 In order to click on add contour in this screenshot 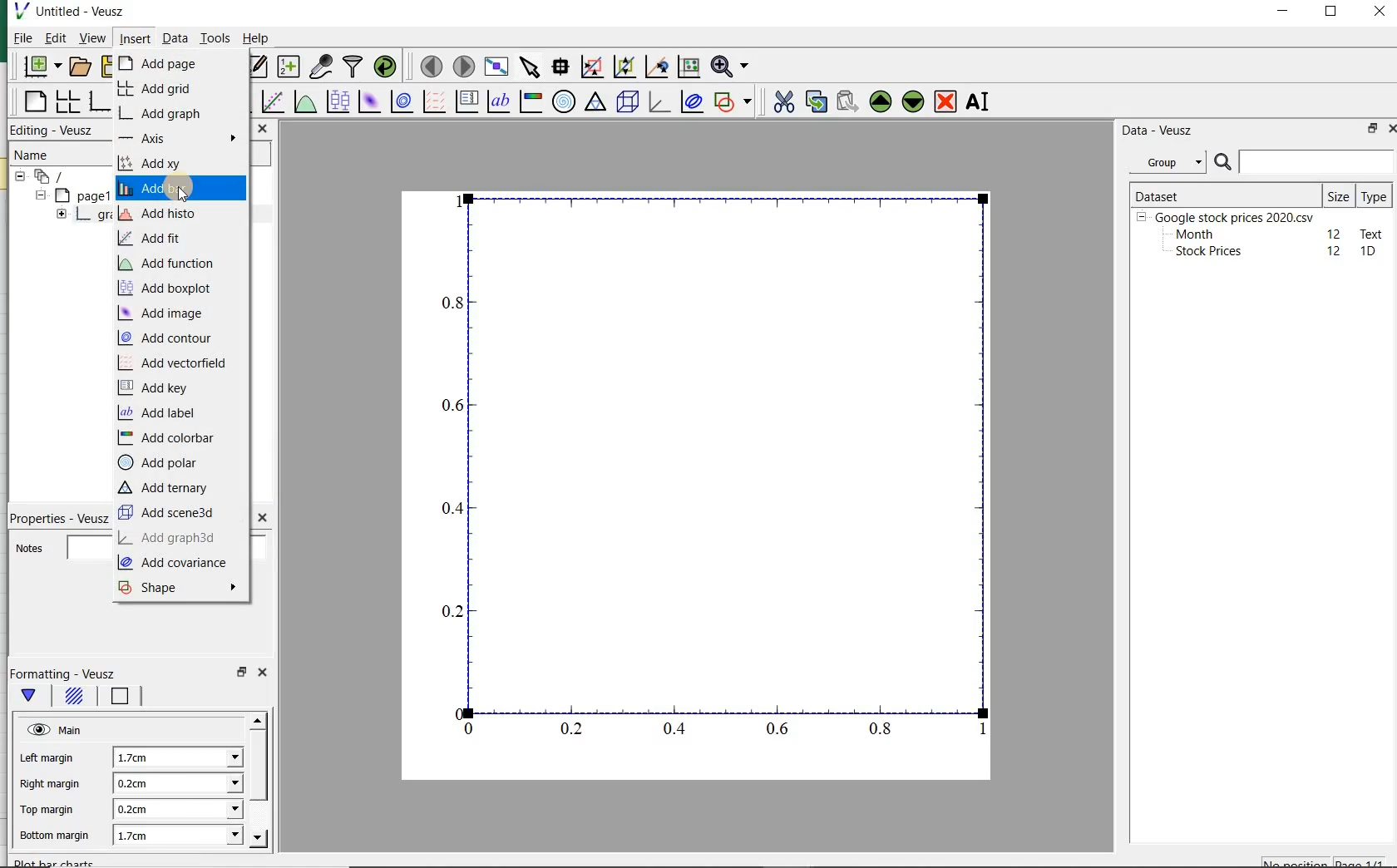, I will do `click(170, 338)`.